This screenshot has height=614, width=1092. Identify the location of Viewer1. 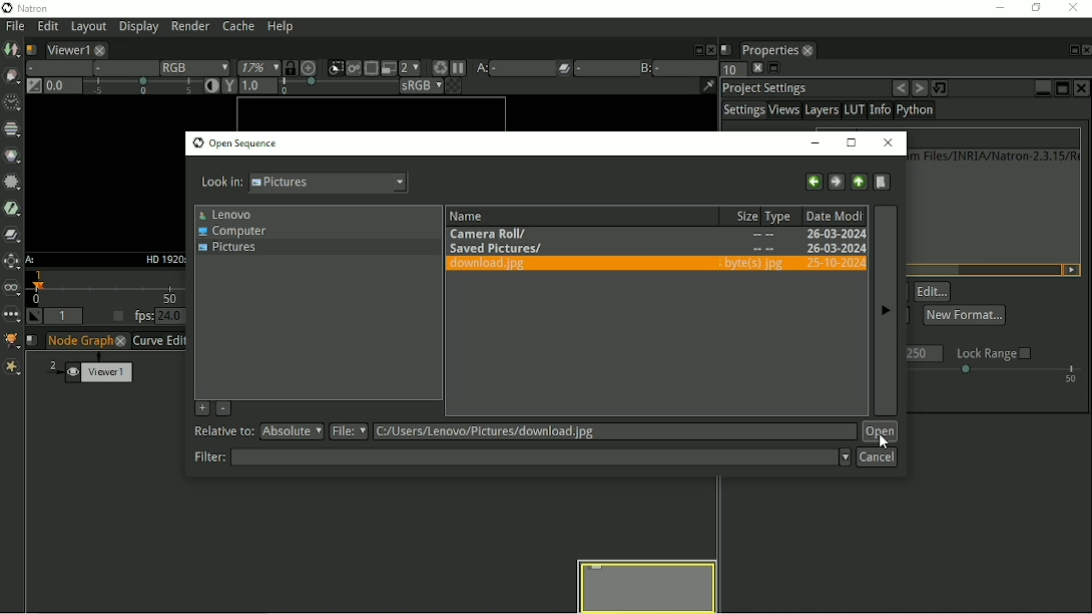
(73, 48).